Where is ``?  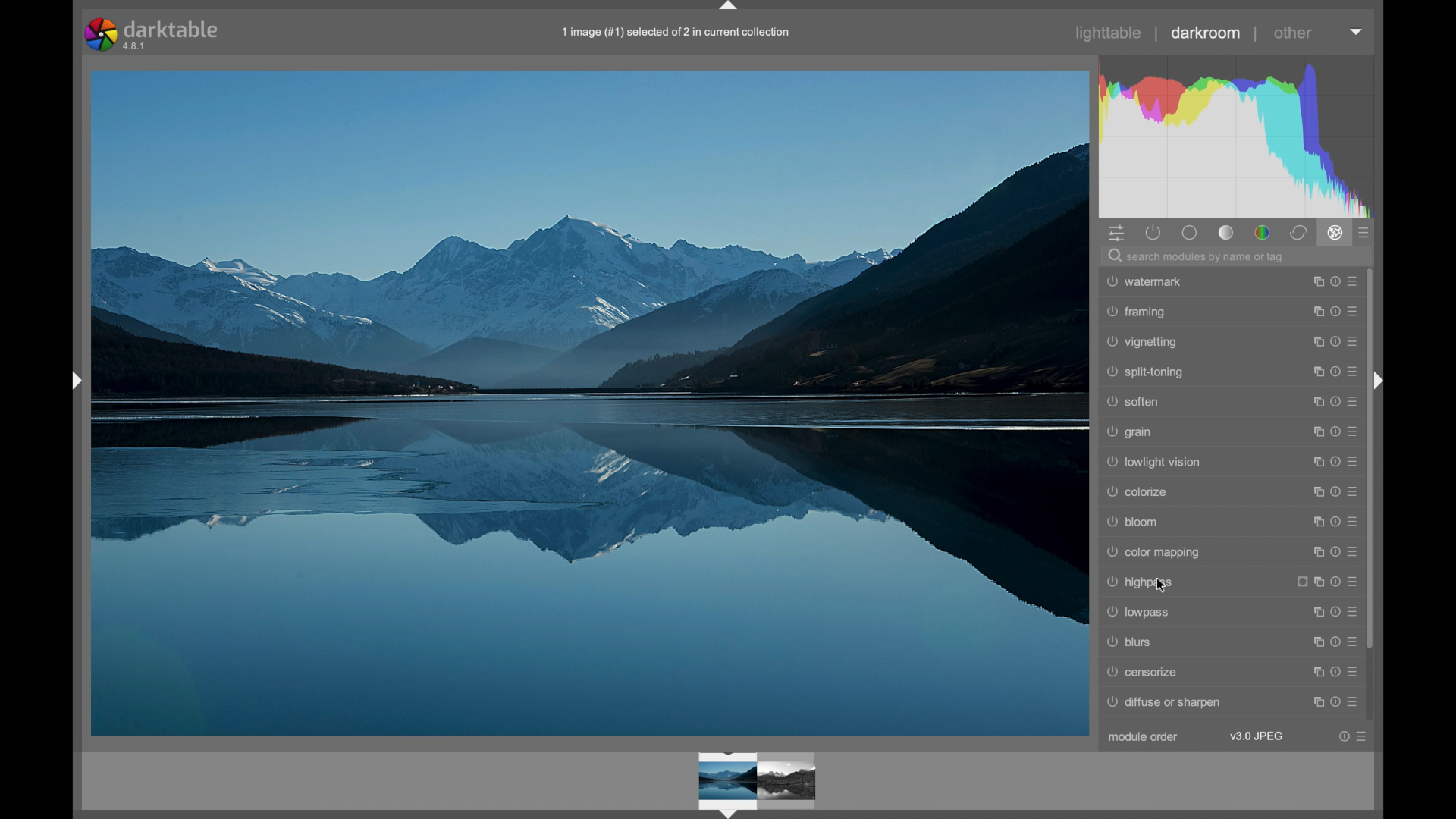
 is located at coordinates (1131, 432).